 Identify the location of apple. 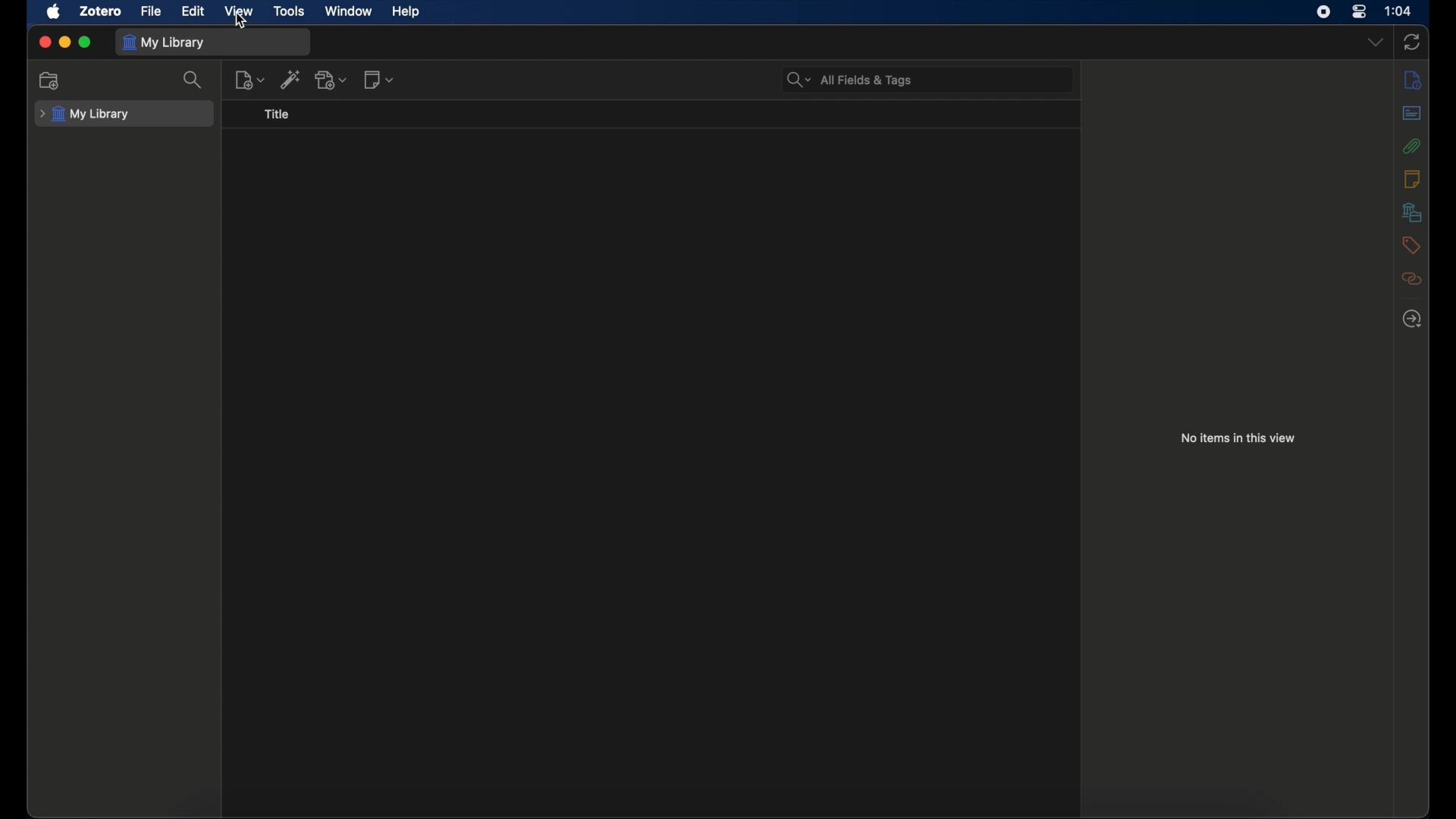
(54, 12).